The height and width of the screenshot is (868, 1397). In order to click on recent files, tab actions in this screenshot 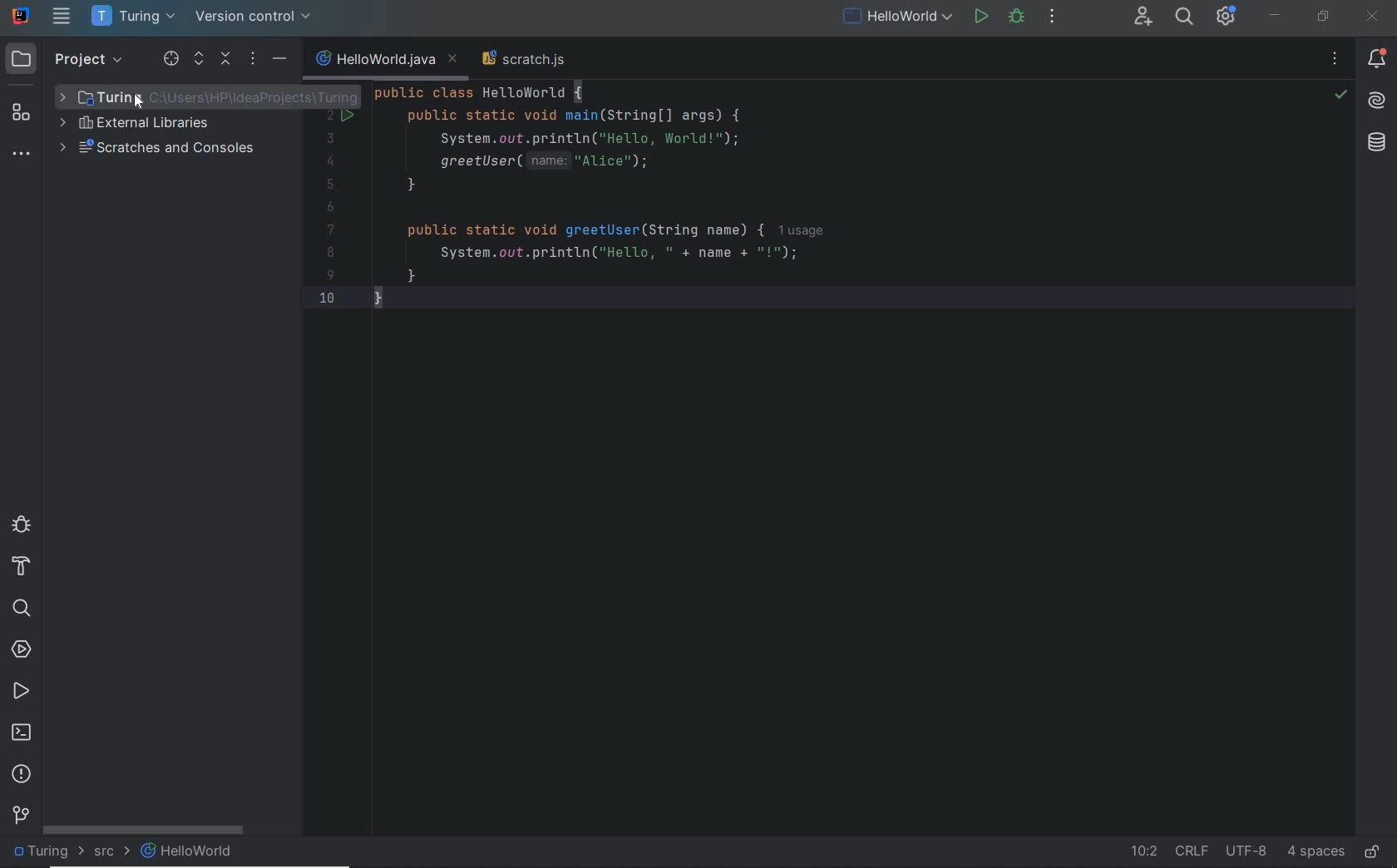, I will do `click(1335, 60)`.